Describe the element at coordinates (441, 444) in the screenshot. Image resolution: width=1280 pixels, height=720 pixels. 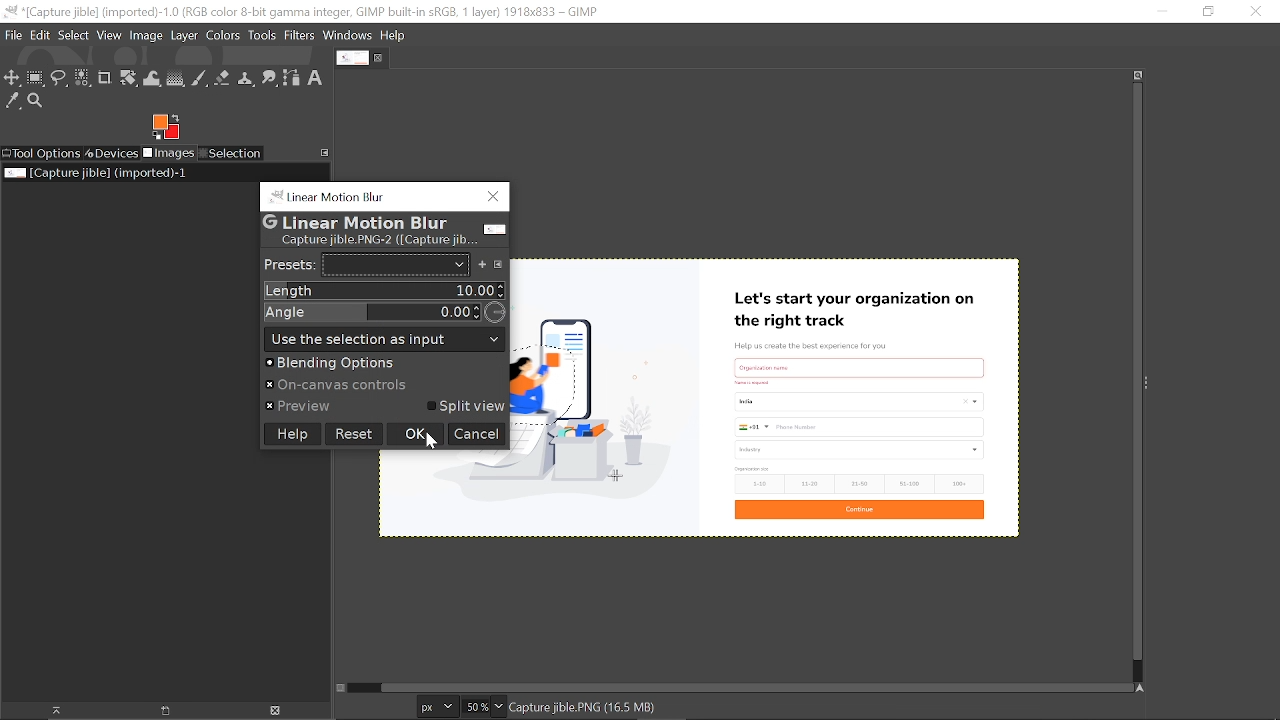
I see `Cursor here` at that location.